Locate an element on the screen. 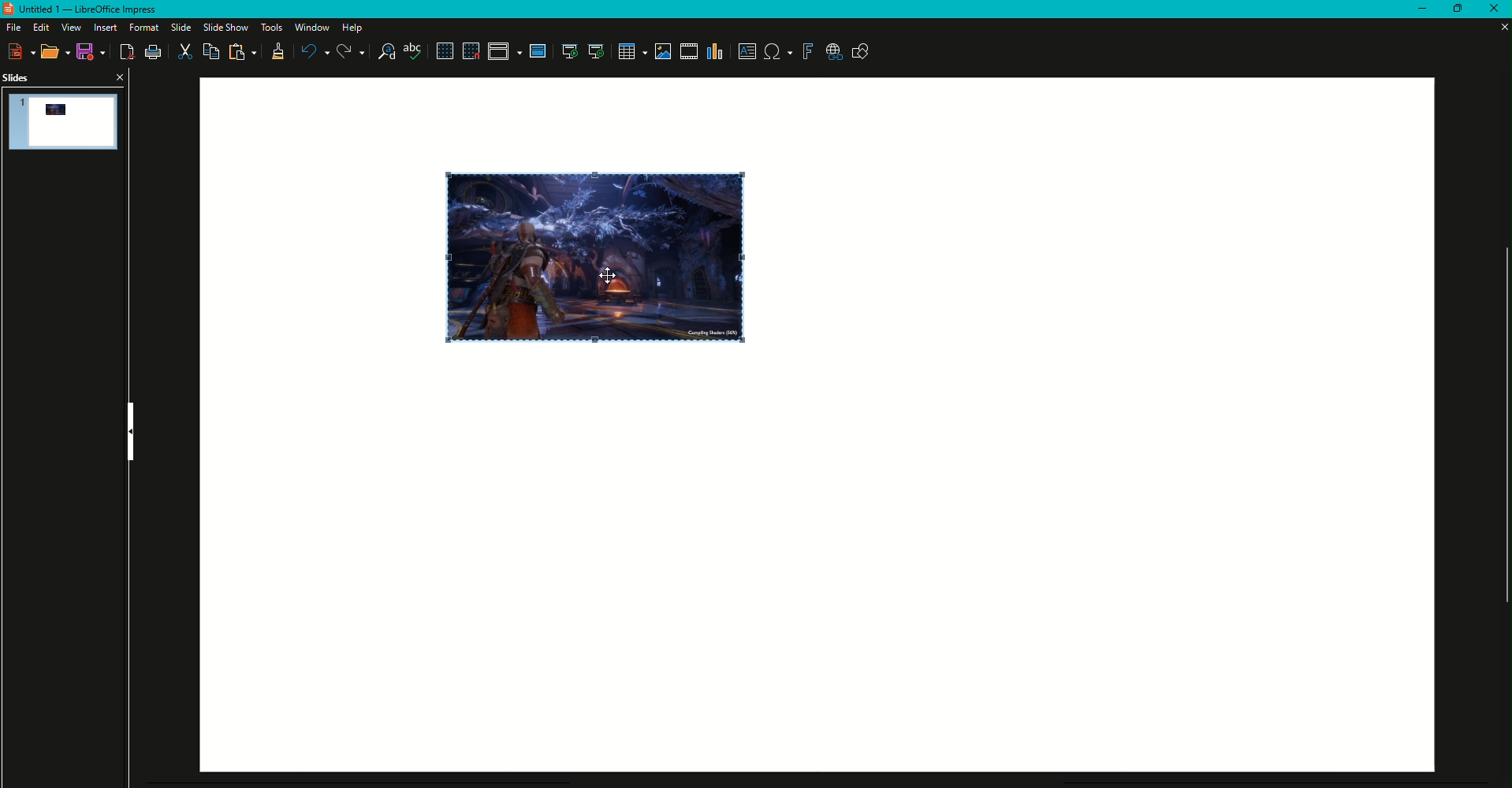 Image resolution: width=1512 pixels, height=788 pixels. Restore is located at coordinates (1454, 9).